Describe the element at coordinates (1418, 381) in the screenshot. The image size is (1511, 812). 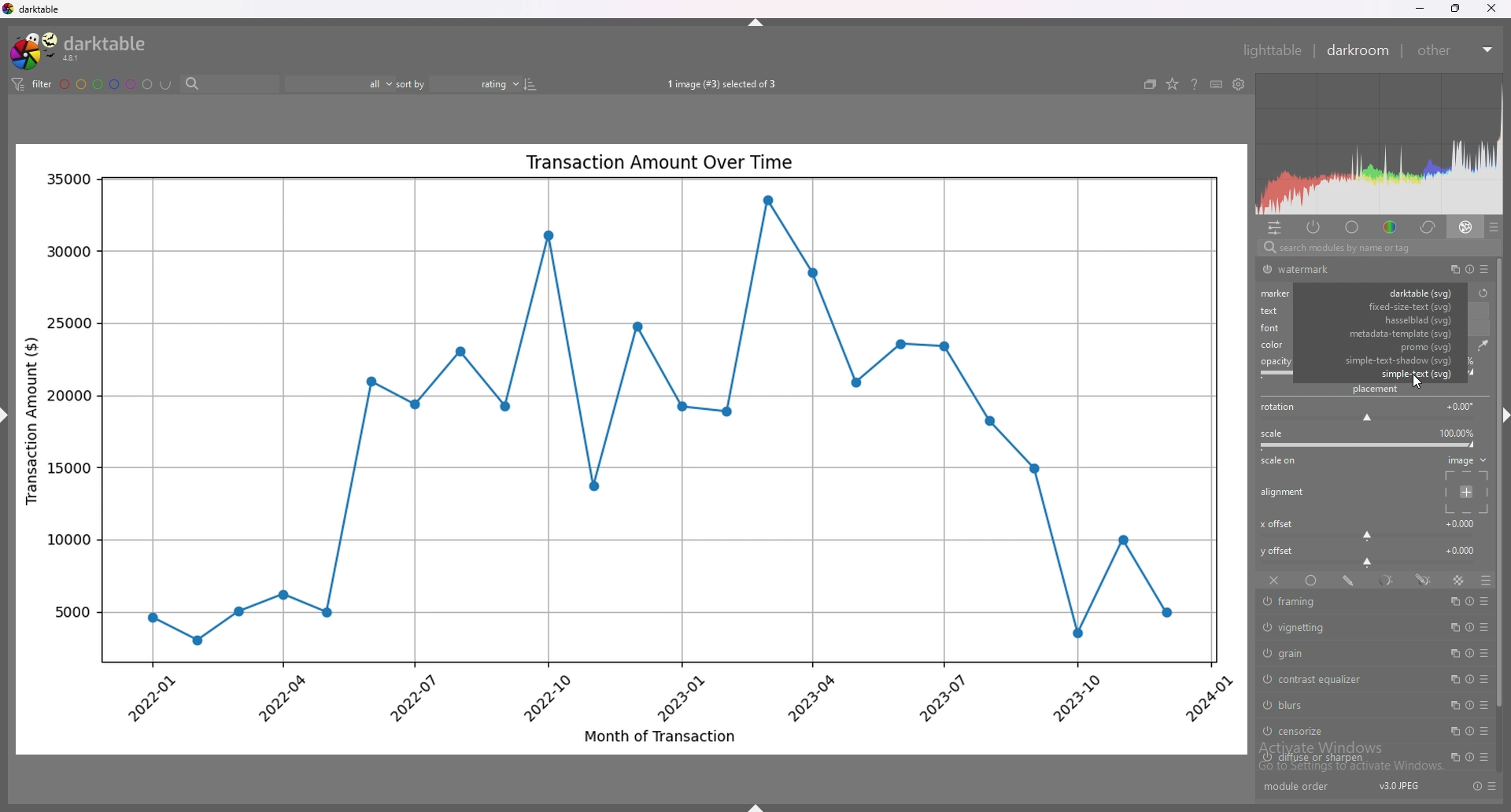
I see `cursor` at that location.